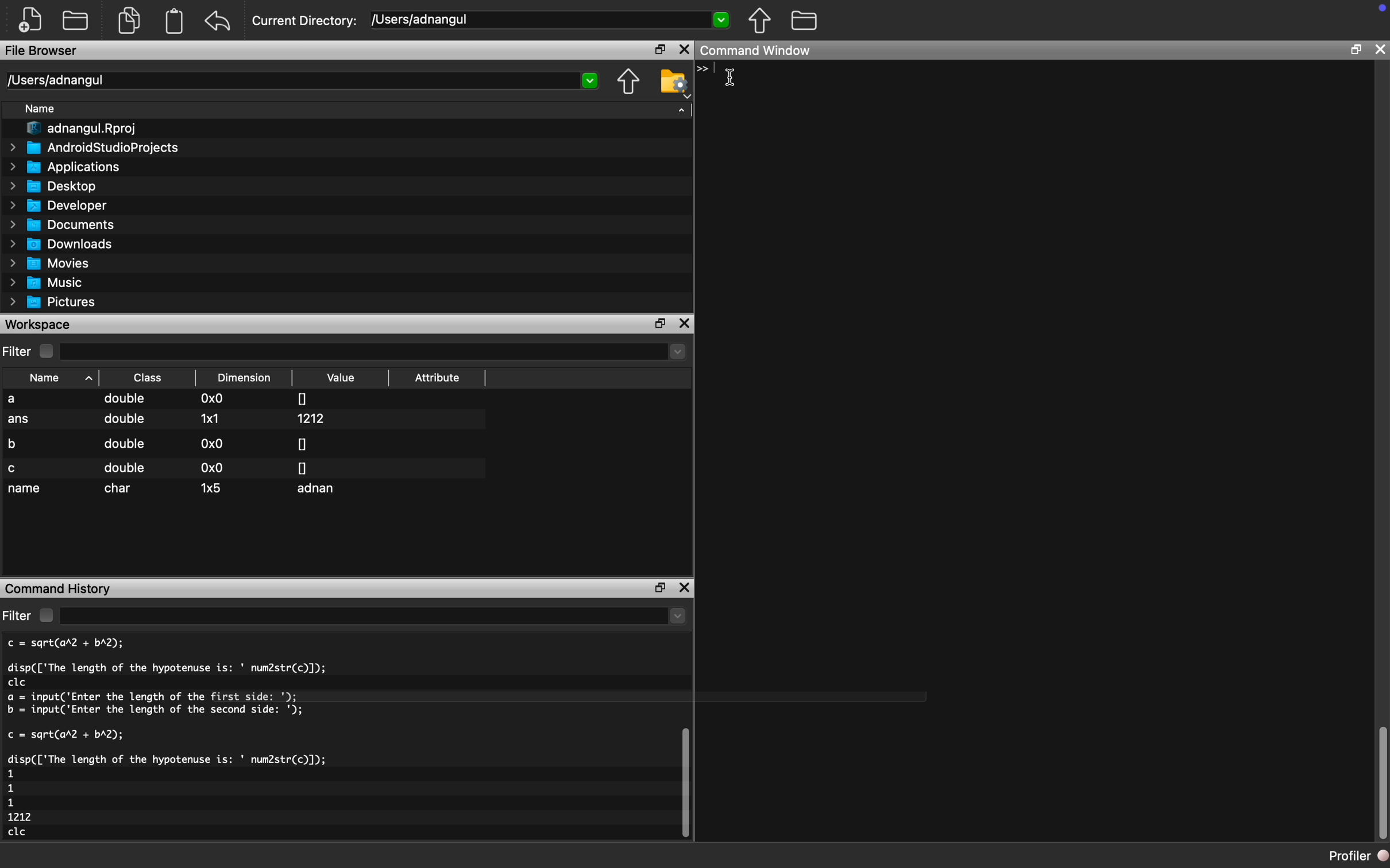 Image resolution: width=1390 pixels, height=868 pixels. Describe the element at coordinates (804, 19) in the screenshot. I see `folder` at that location.